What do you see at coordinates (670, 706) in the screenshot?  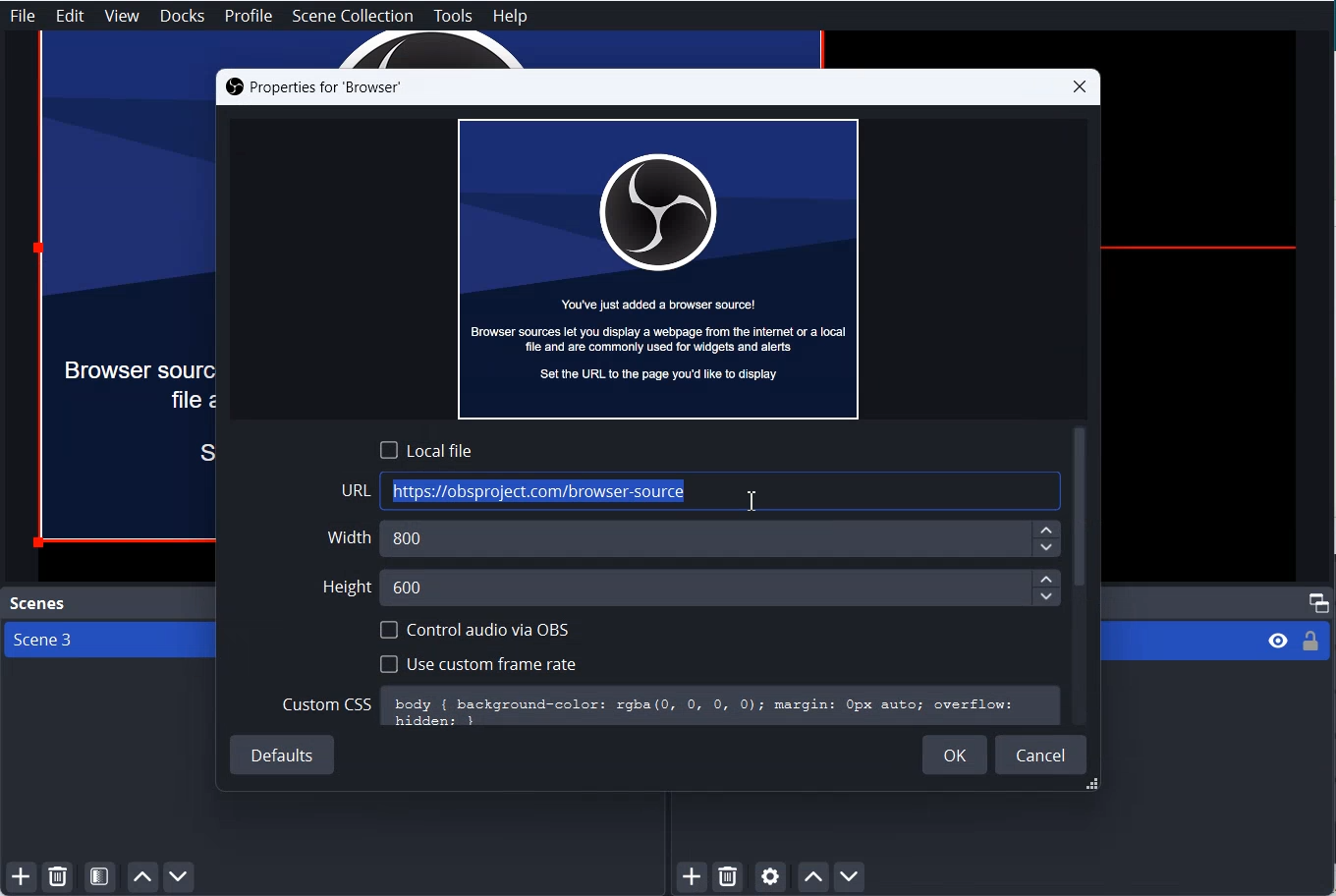 I see `Custom CSS` at bounding box center [670, 706].